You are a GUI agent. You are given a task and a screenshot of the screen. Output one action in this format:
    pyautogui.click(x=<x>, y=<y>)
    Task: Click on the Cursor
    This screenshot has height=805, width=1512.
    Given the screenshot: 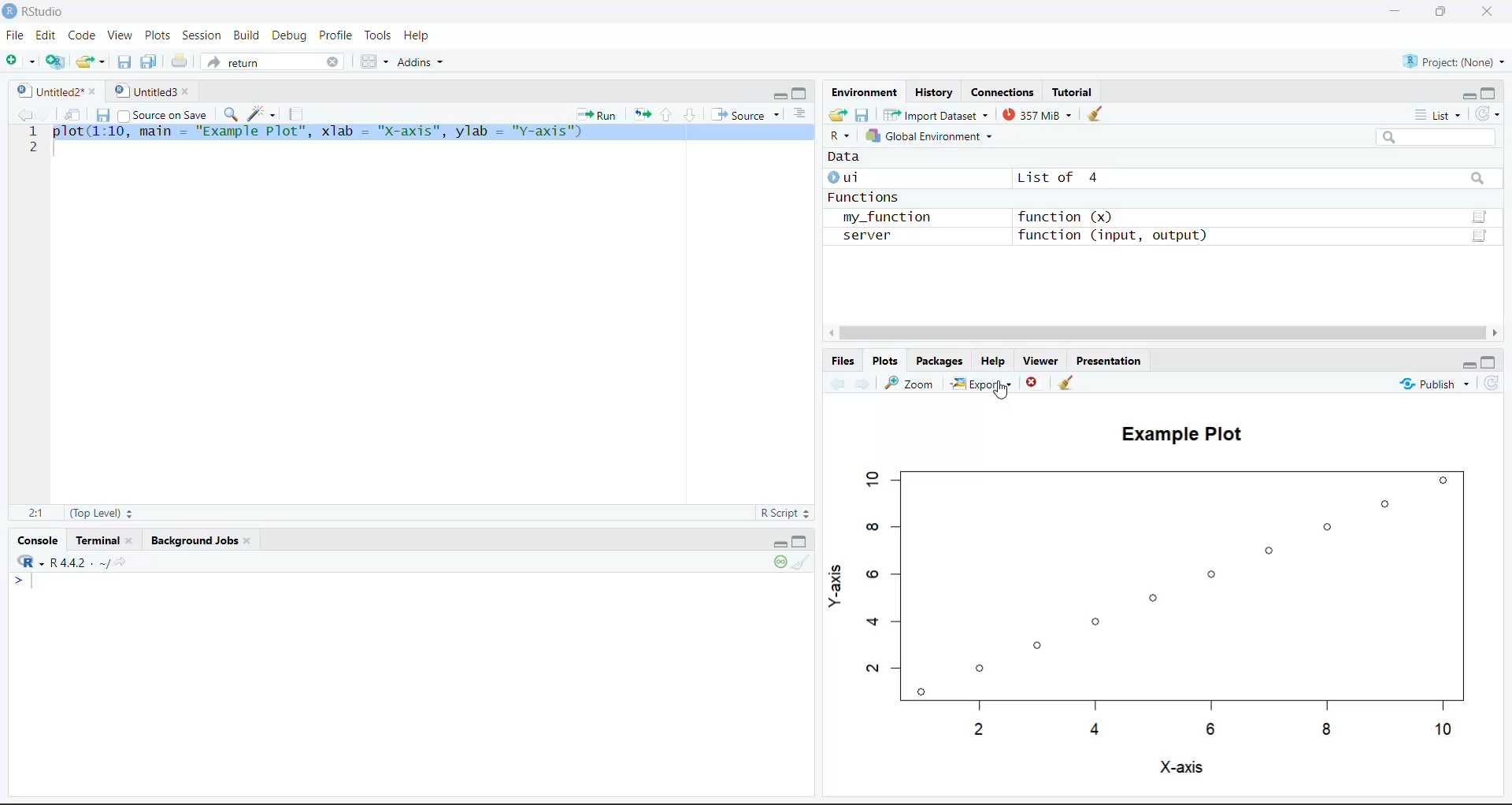 What is the action you would take?
    pyautogui.click(x=1000, y=391)
    